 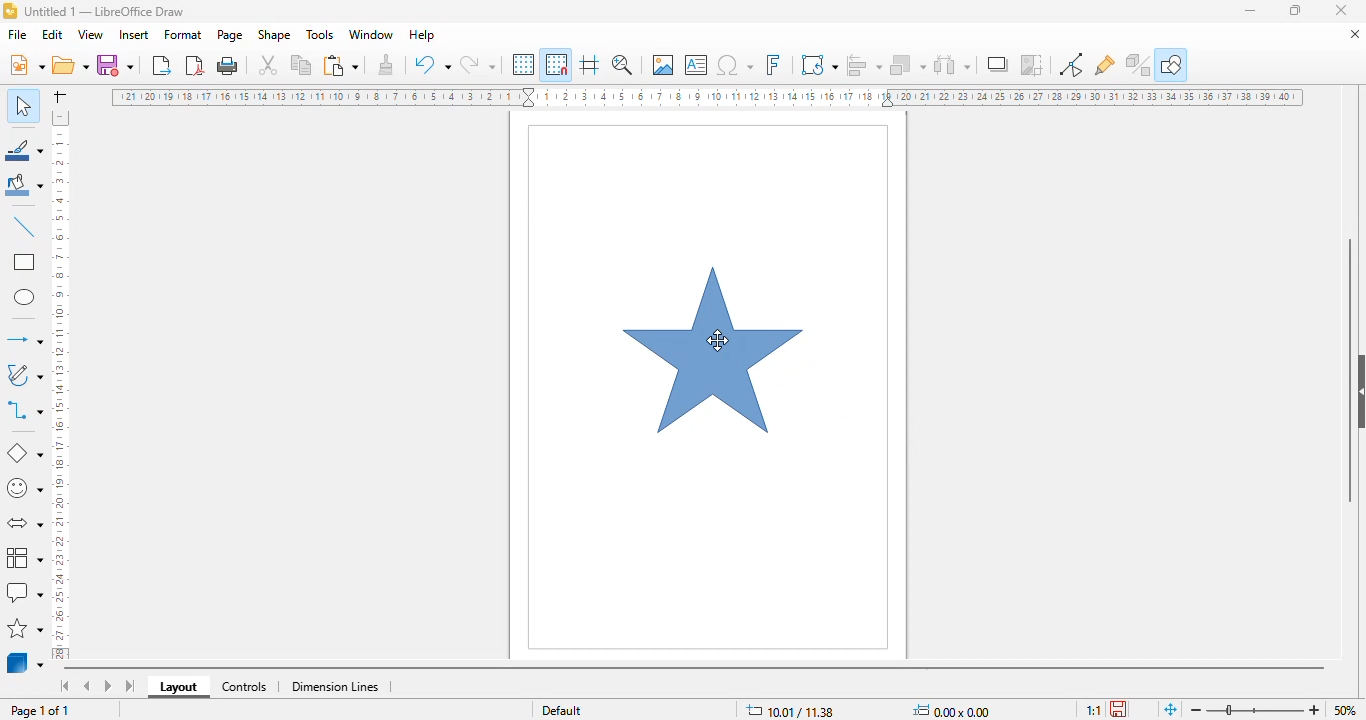 What do you see at coordinates (562, 709) in the screenshot?
I see `default` at bounding box center [562, 709].